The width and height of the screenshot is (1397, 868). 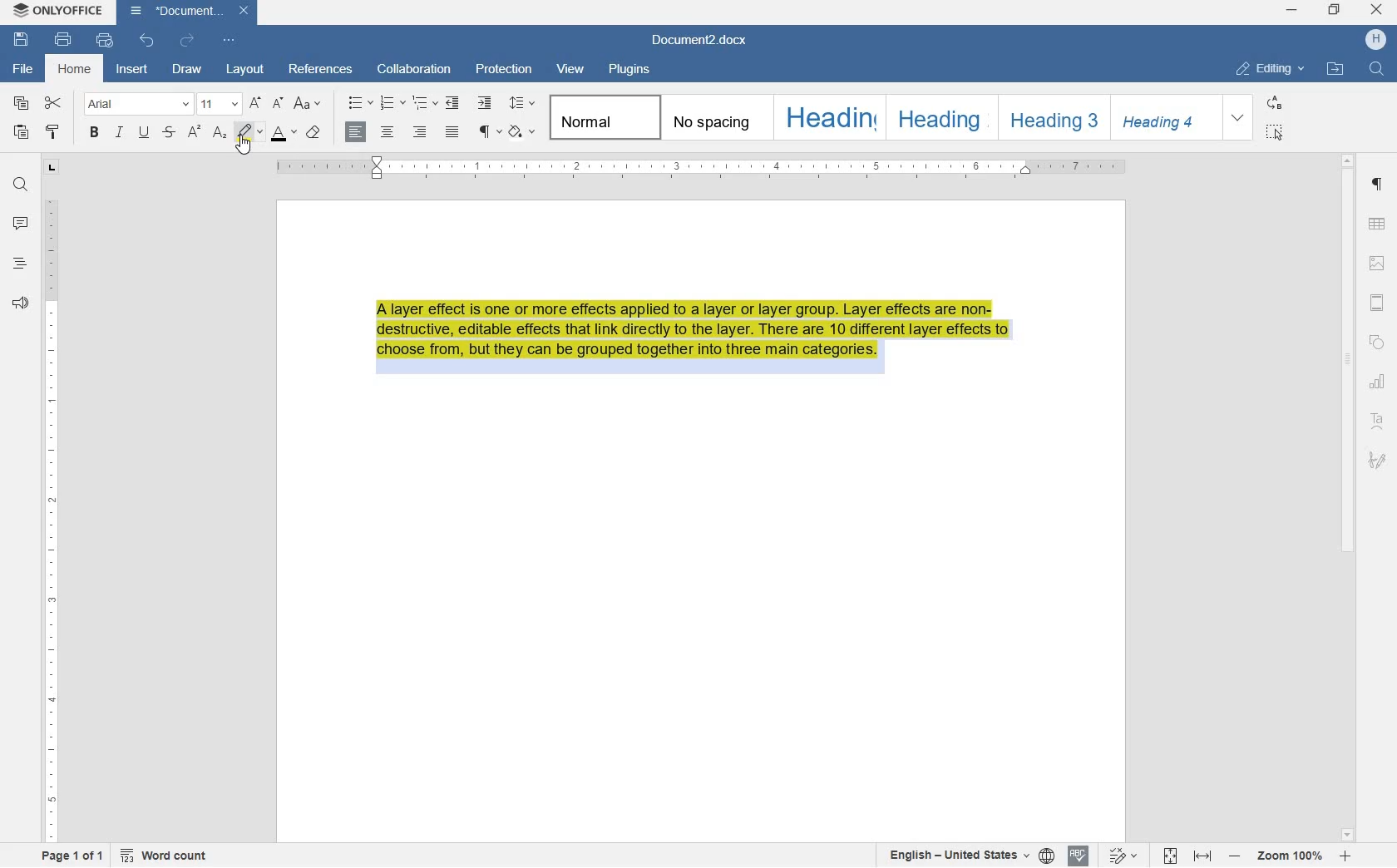 I want to click on UNDO, so click(x=148, y=42).